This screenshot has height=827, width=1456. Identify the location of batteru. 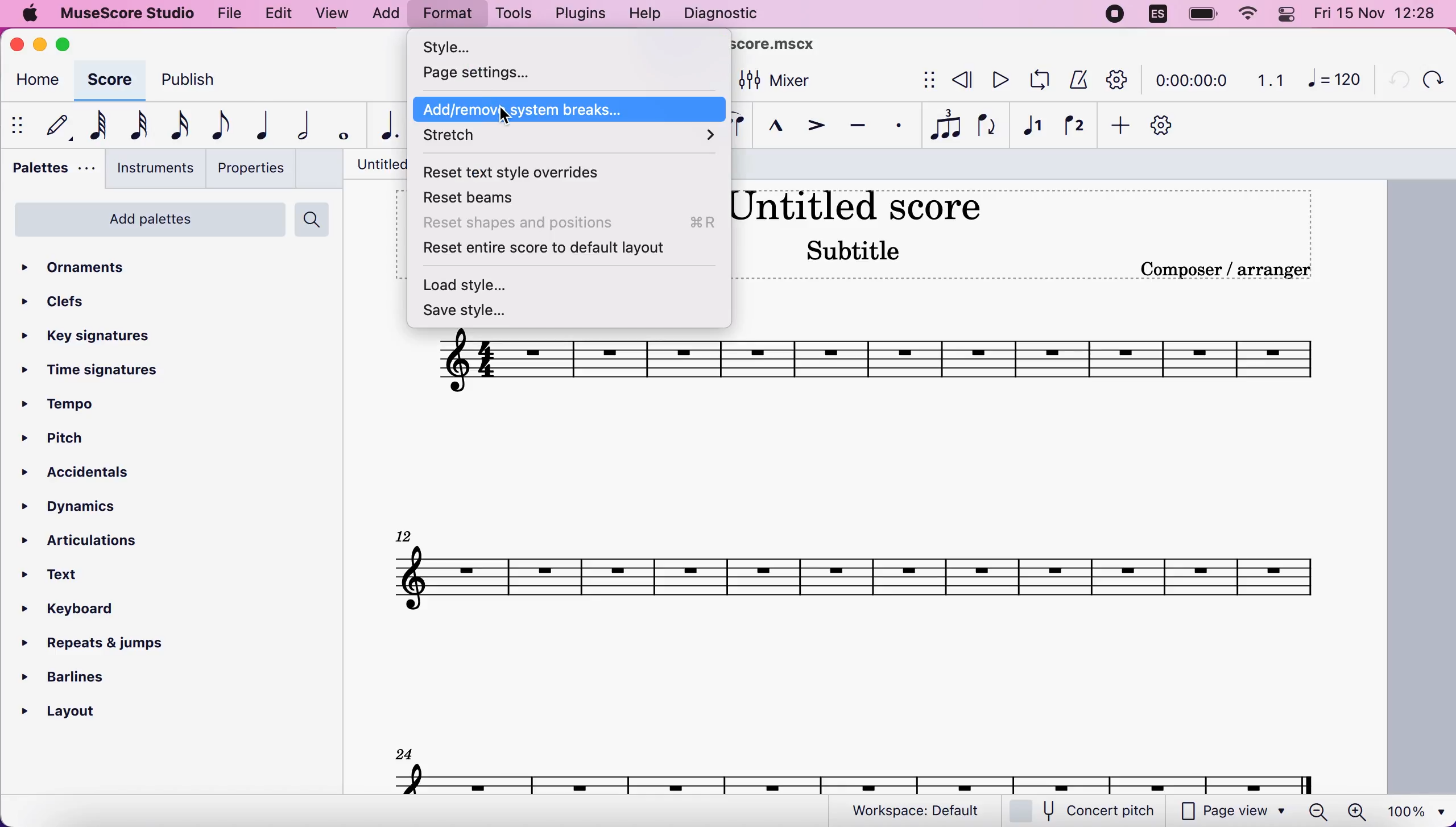
(1203, 15).